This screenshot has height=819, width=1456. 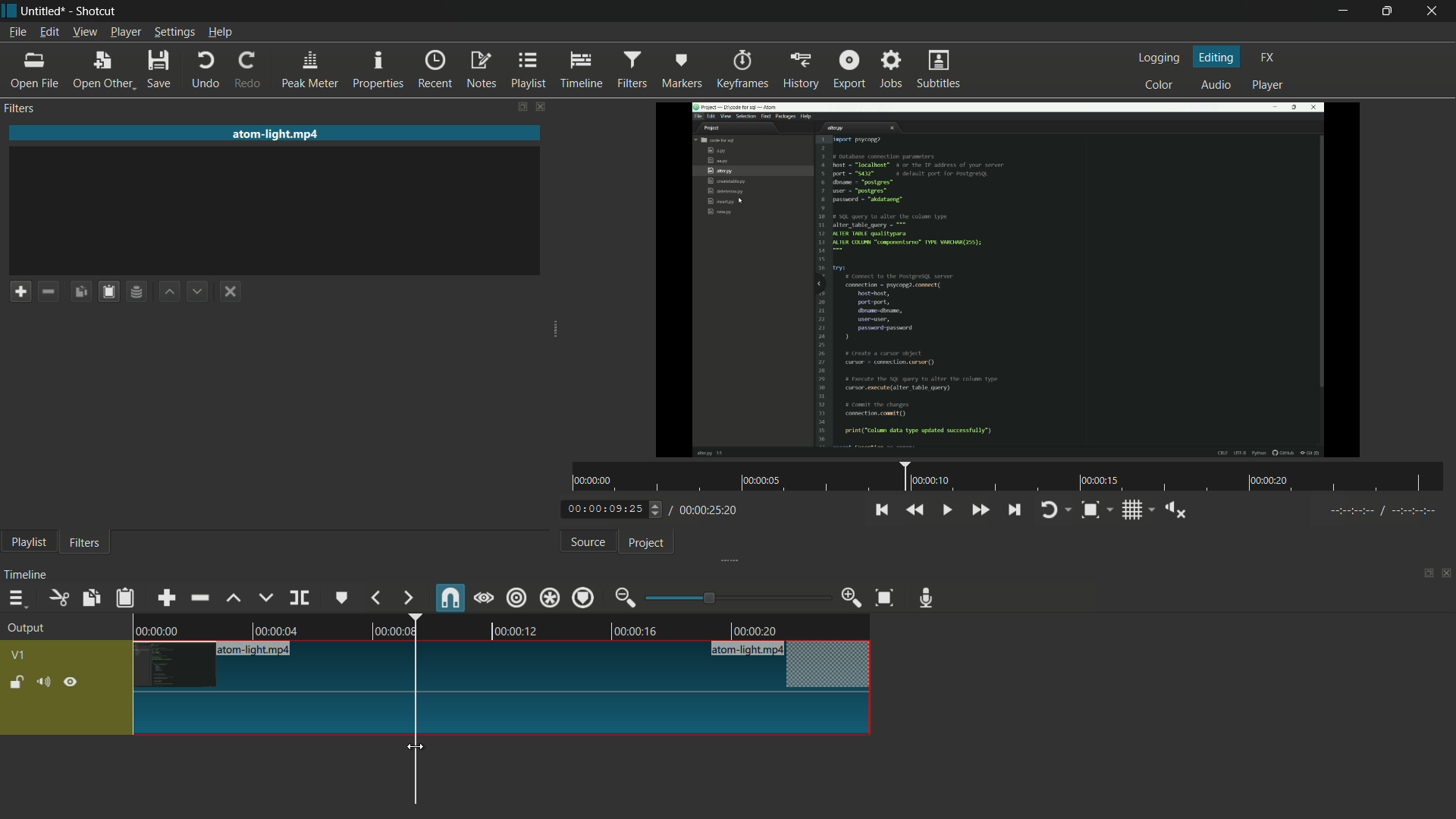 What do you see at coordinates (52, 290) in the screenshot?
I see `remove a filter` at bounding box center [52, 290].